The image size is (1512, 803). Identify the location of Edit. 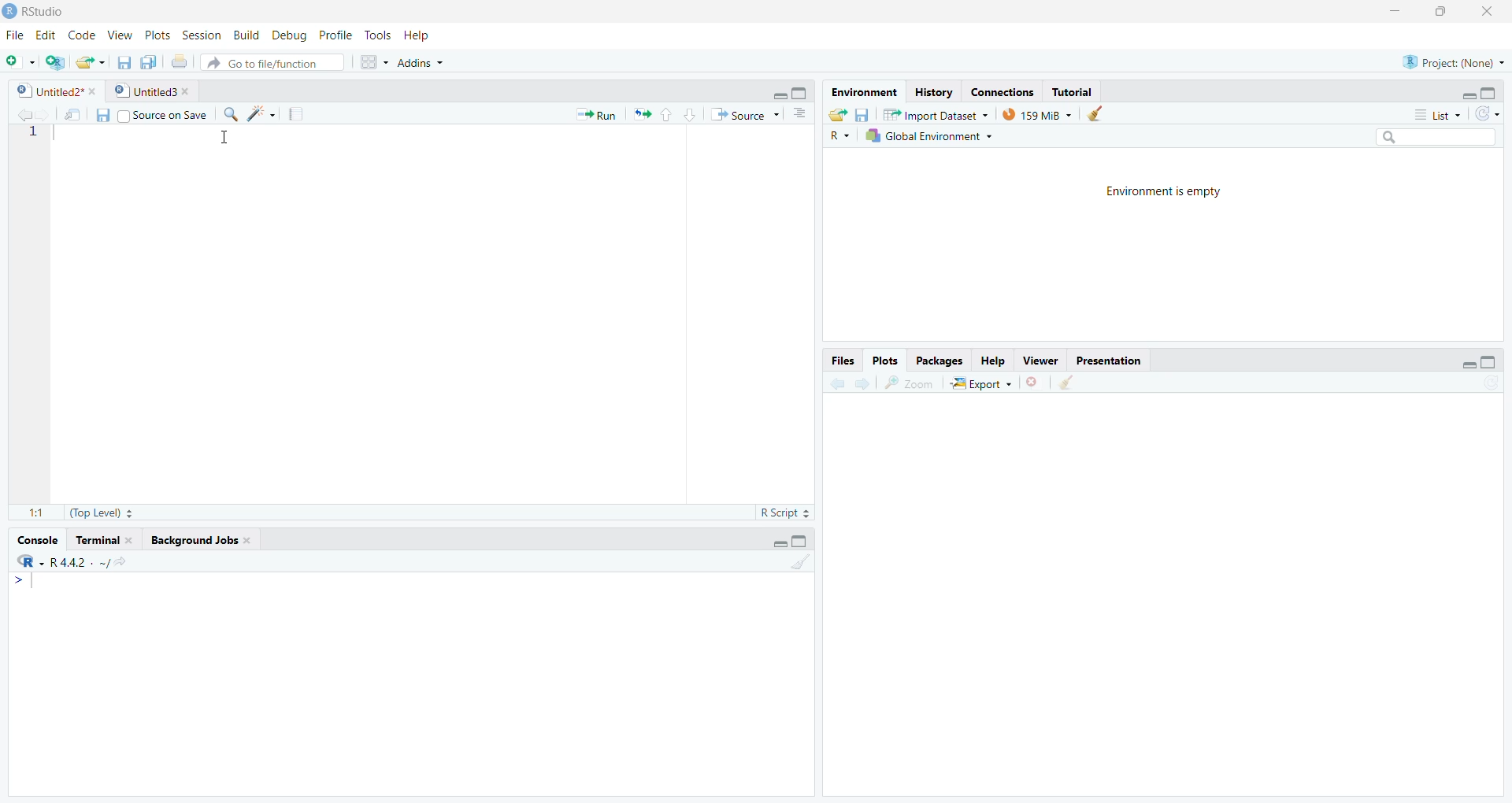
(47, 35).